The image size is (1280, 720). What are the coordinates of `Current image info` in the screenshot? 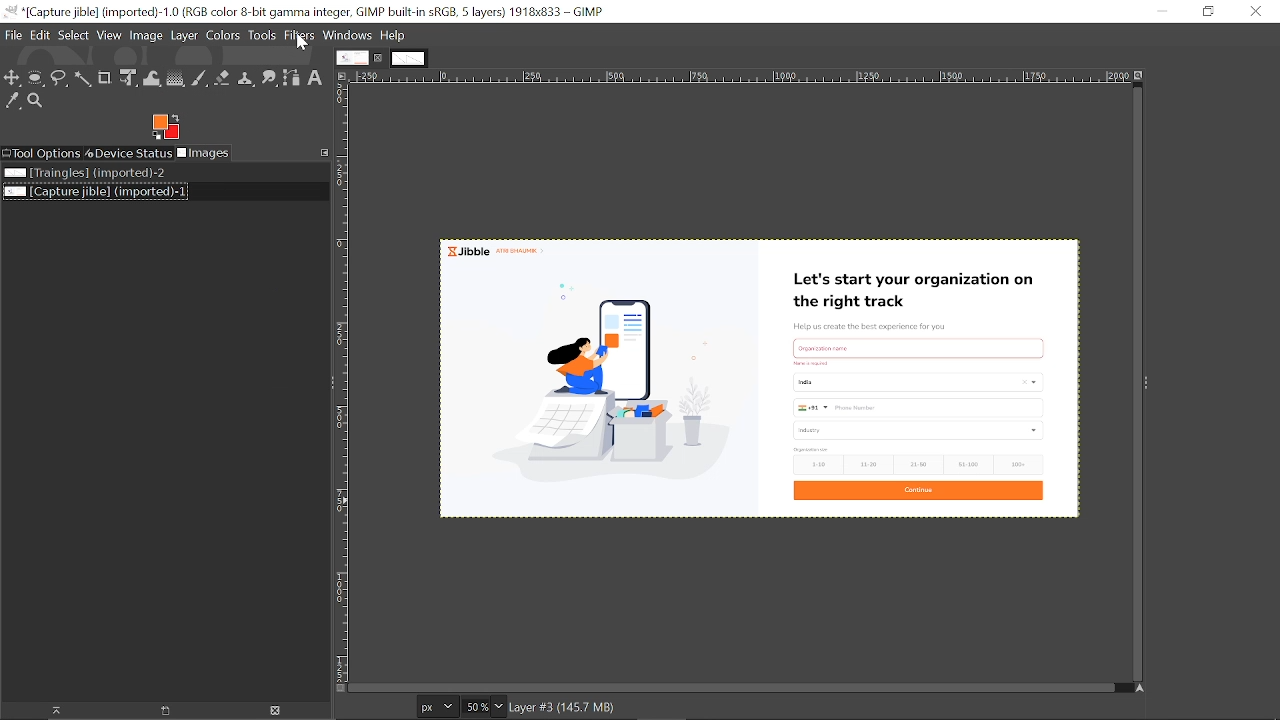 It's located at (563, 707).